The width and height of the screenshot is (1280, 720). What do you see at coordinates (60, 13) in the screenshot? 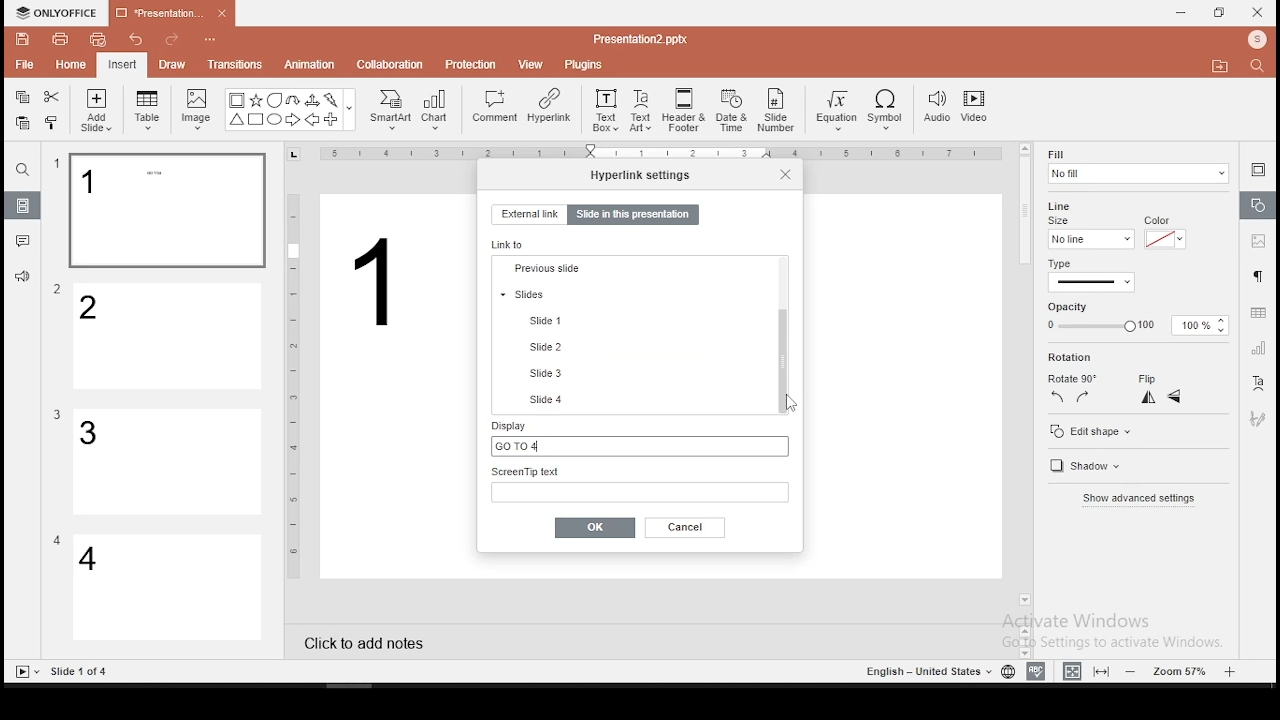
I see `icon` at bounding box center [60, 13].